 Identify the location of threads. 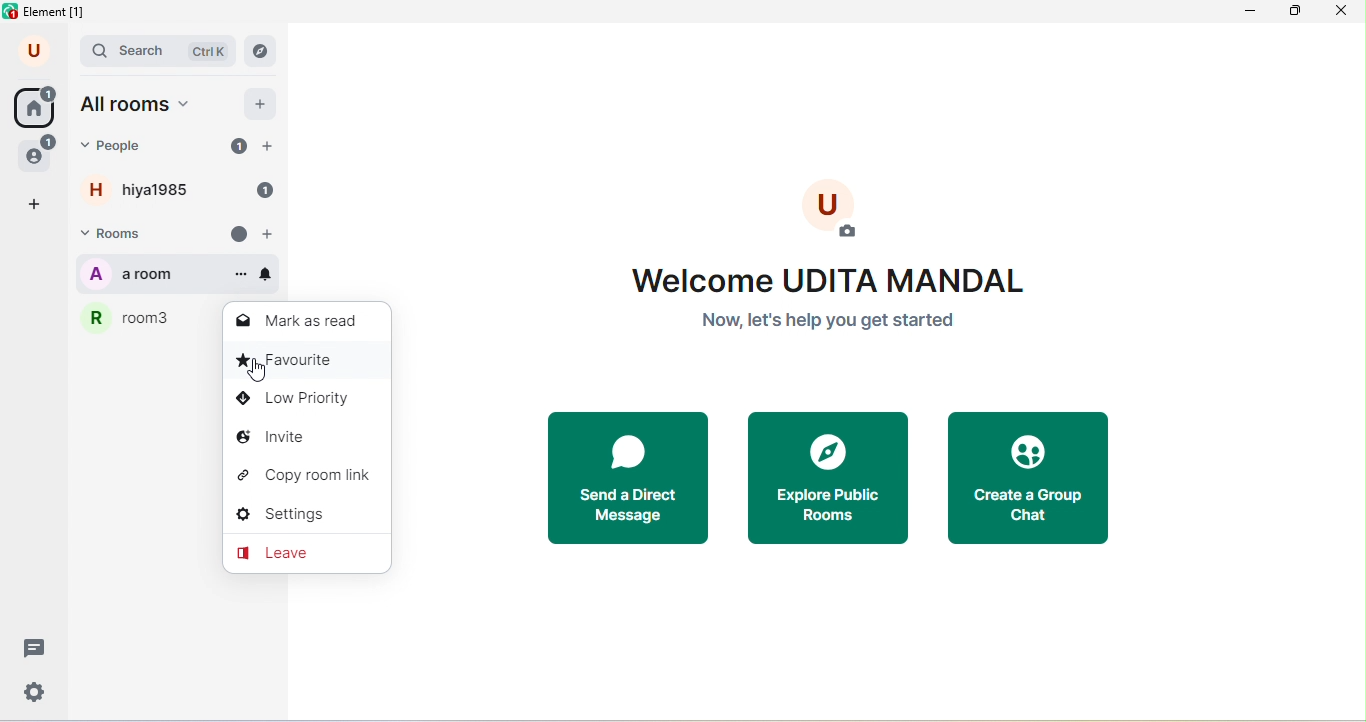
(31, 648).